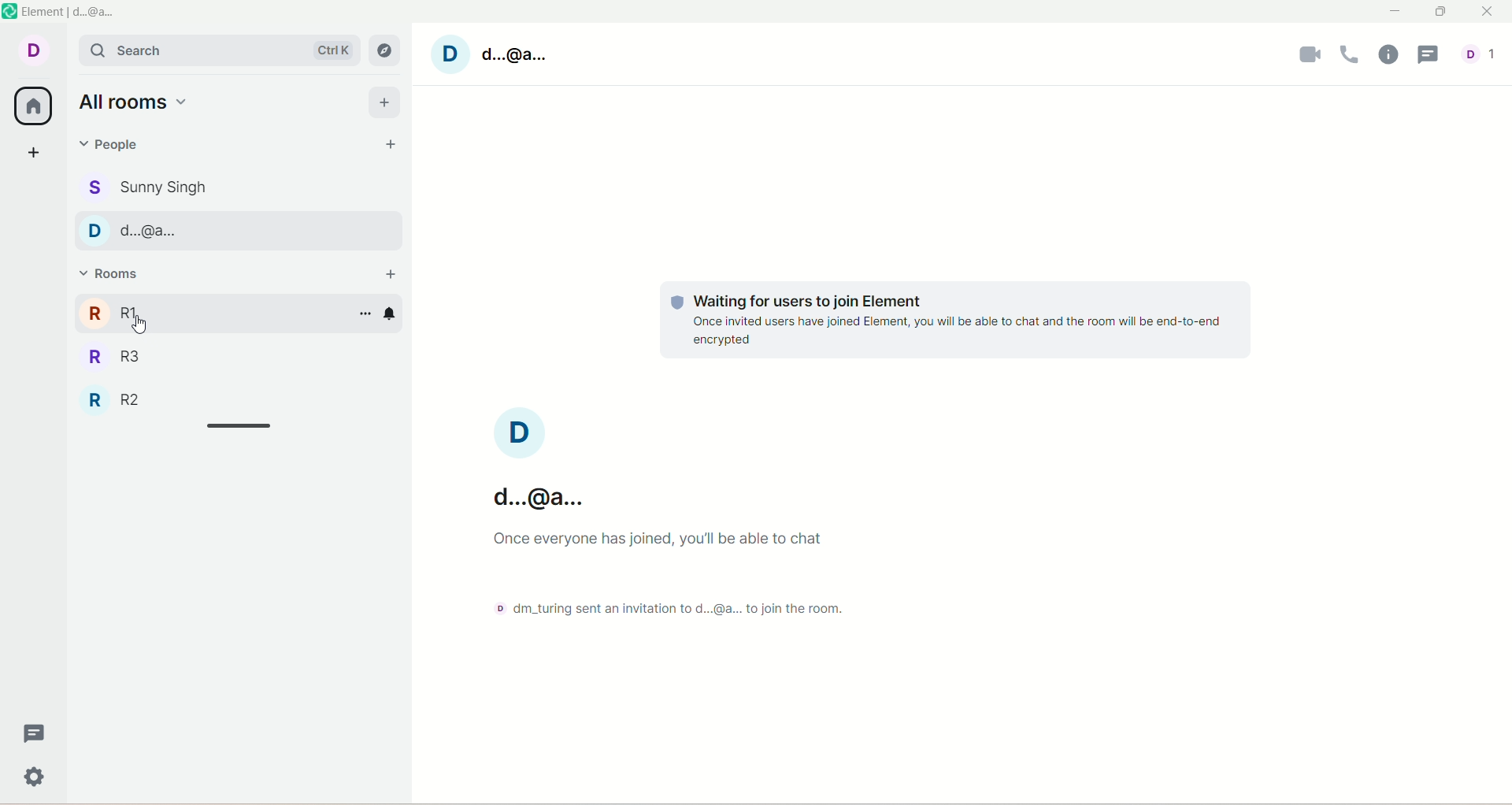 The image size is (1512, 805). I want to click on voice call, so click(1351, 54).